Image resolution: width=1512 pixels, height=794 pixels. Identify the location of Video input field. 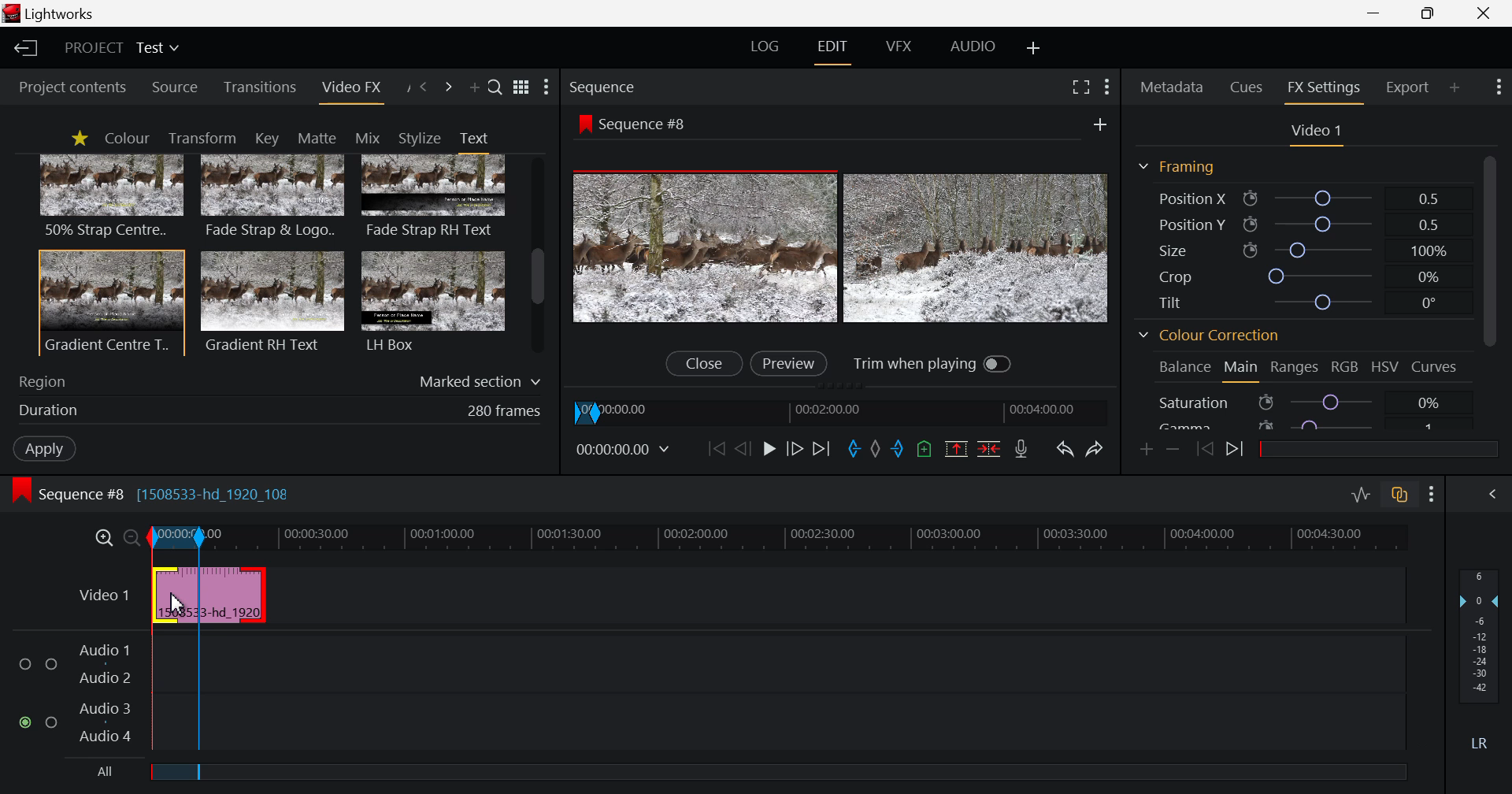
(209, 596).